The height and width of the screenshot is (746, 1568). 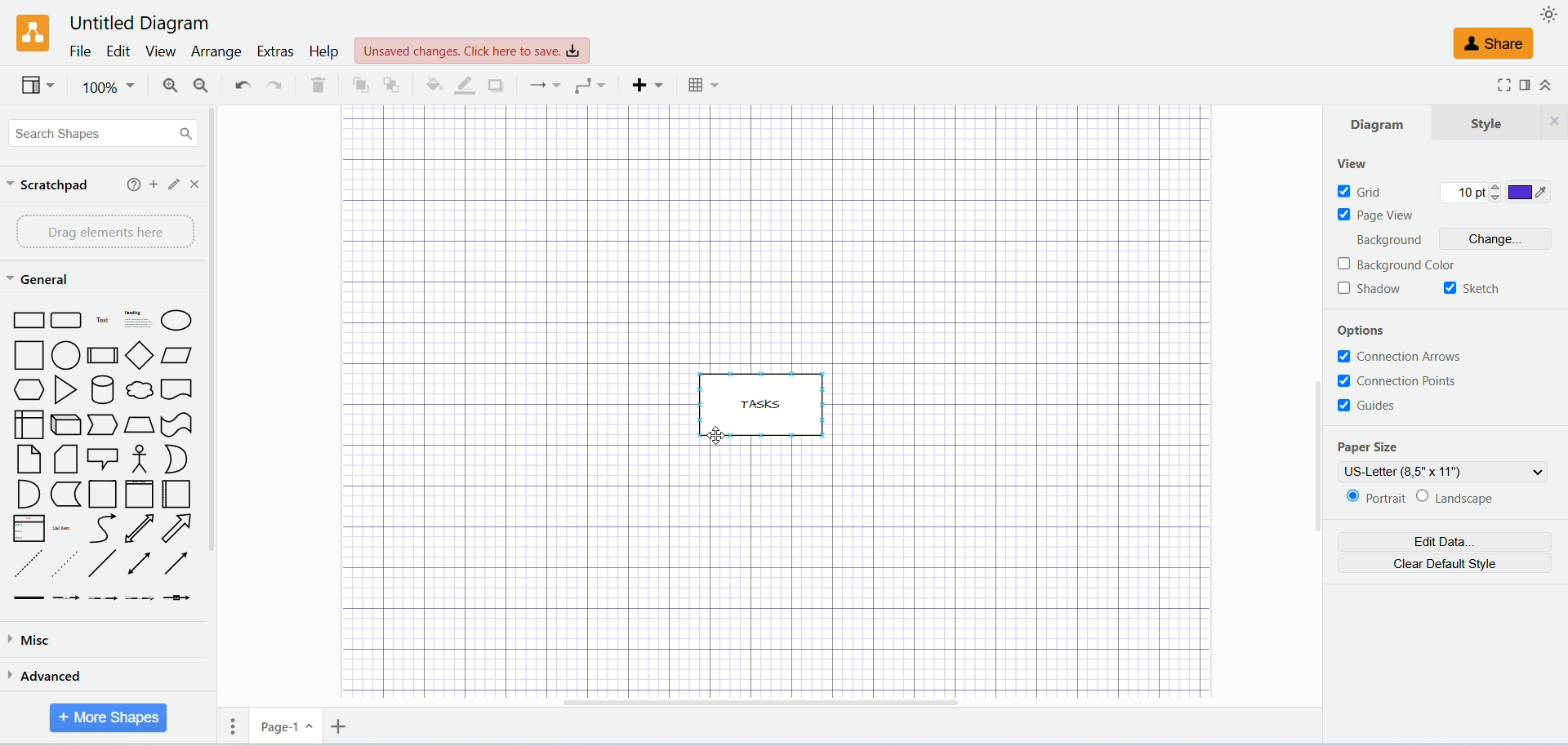 I want to click on US-letter, so click(x=1443, y=472).